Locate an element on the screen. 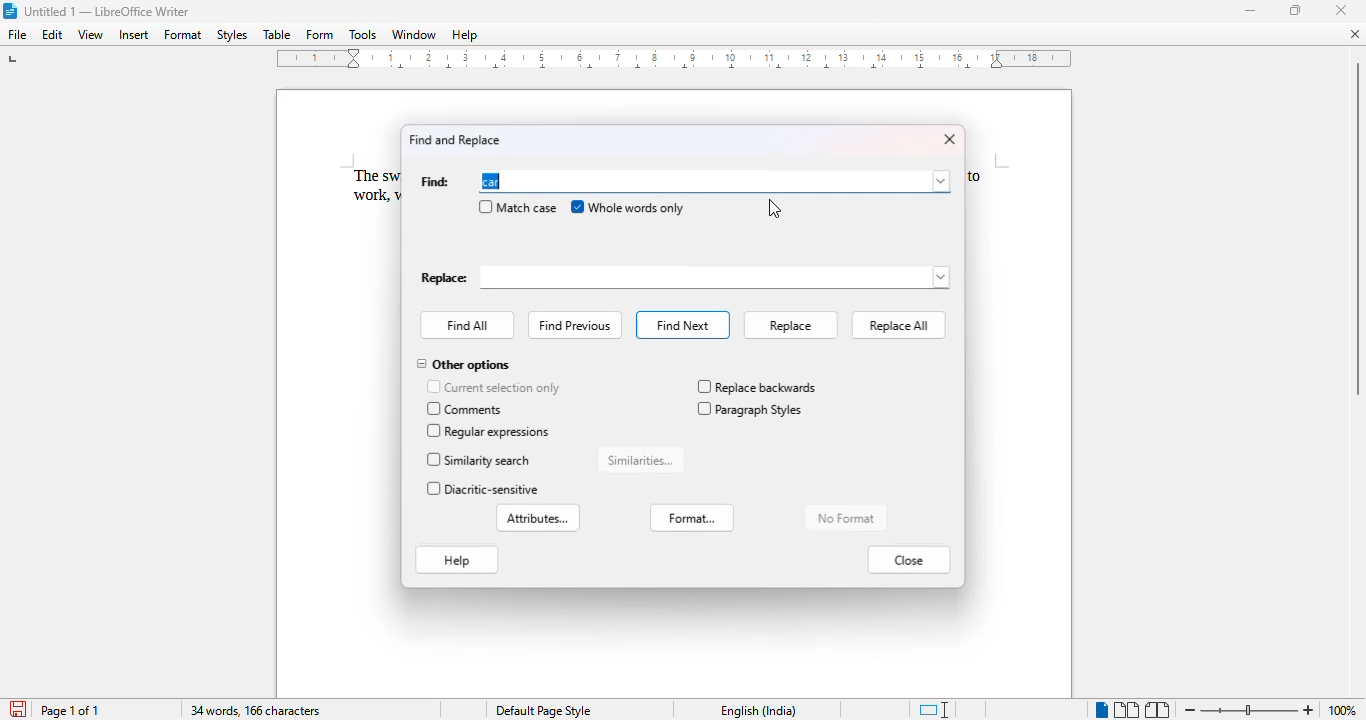  view is located at coordinates (90, 34).